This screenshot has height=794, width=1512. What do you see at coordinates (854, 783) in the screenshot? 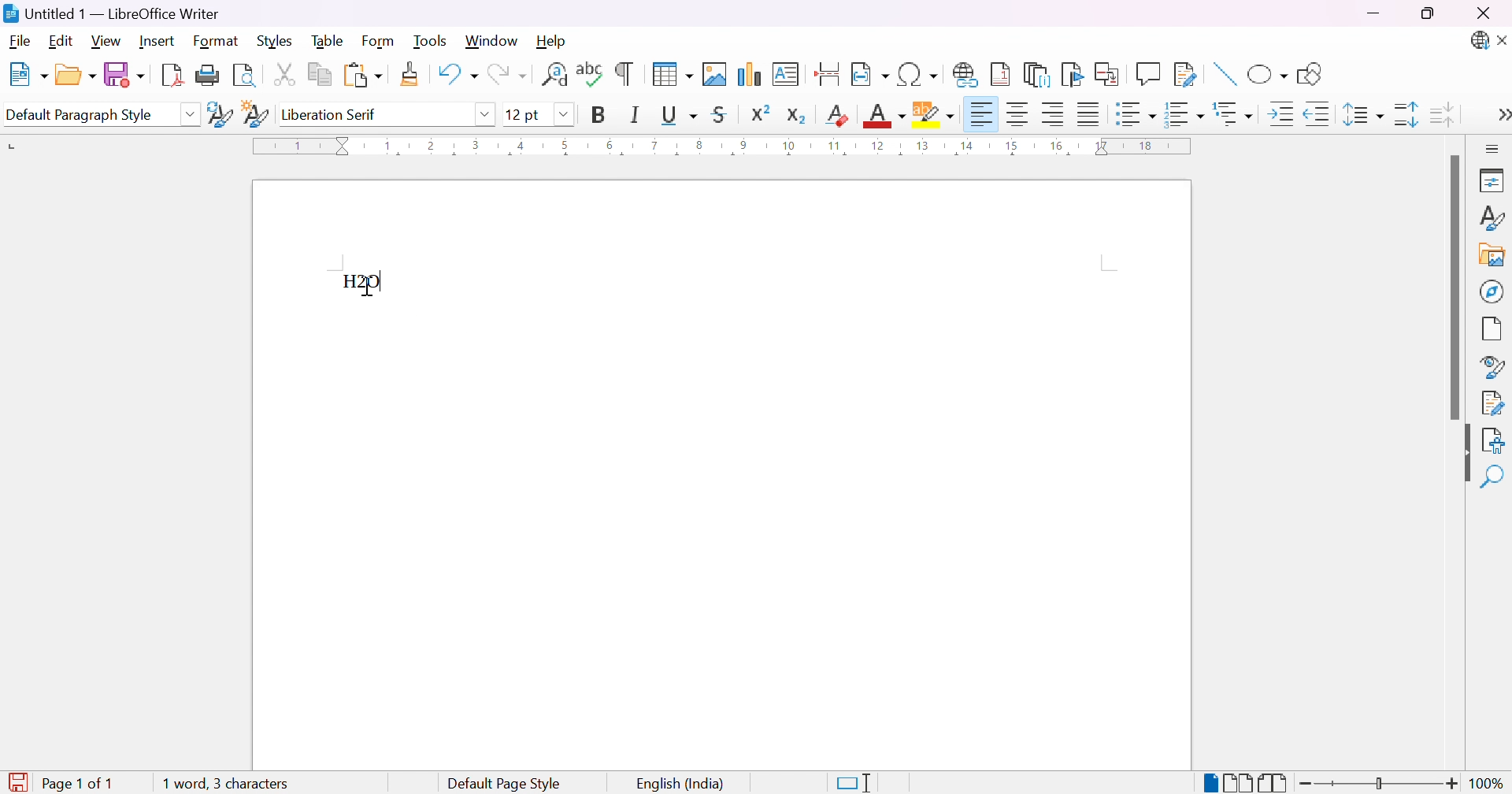
I see `Standard selection. Click to change selection mode.` at bounding box center [854, 783].